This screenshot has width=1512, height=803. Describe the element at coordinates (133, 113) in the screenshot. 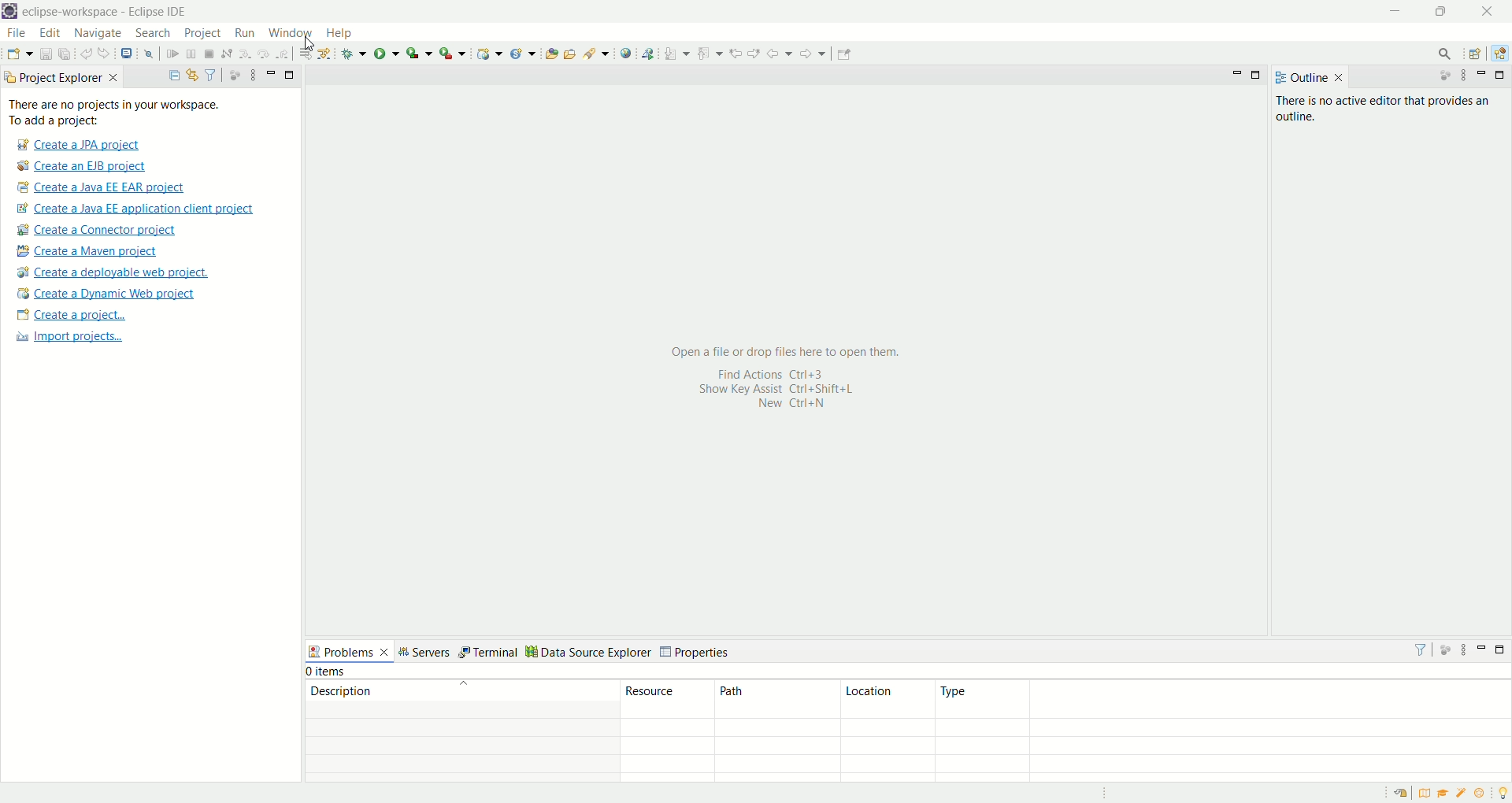

I see `There are no projects inn your workspace. To add a project:` at that location.